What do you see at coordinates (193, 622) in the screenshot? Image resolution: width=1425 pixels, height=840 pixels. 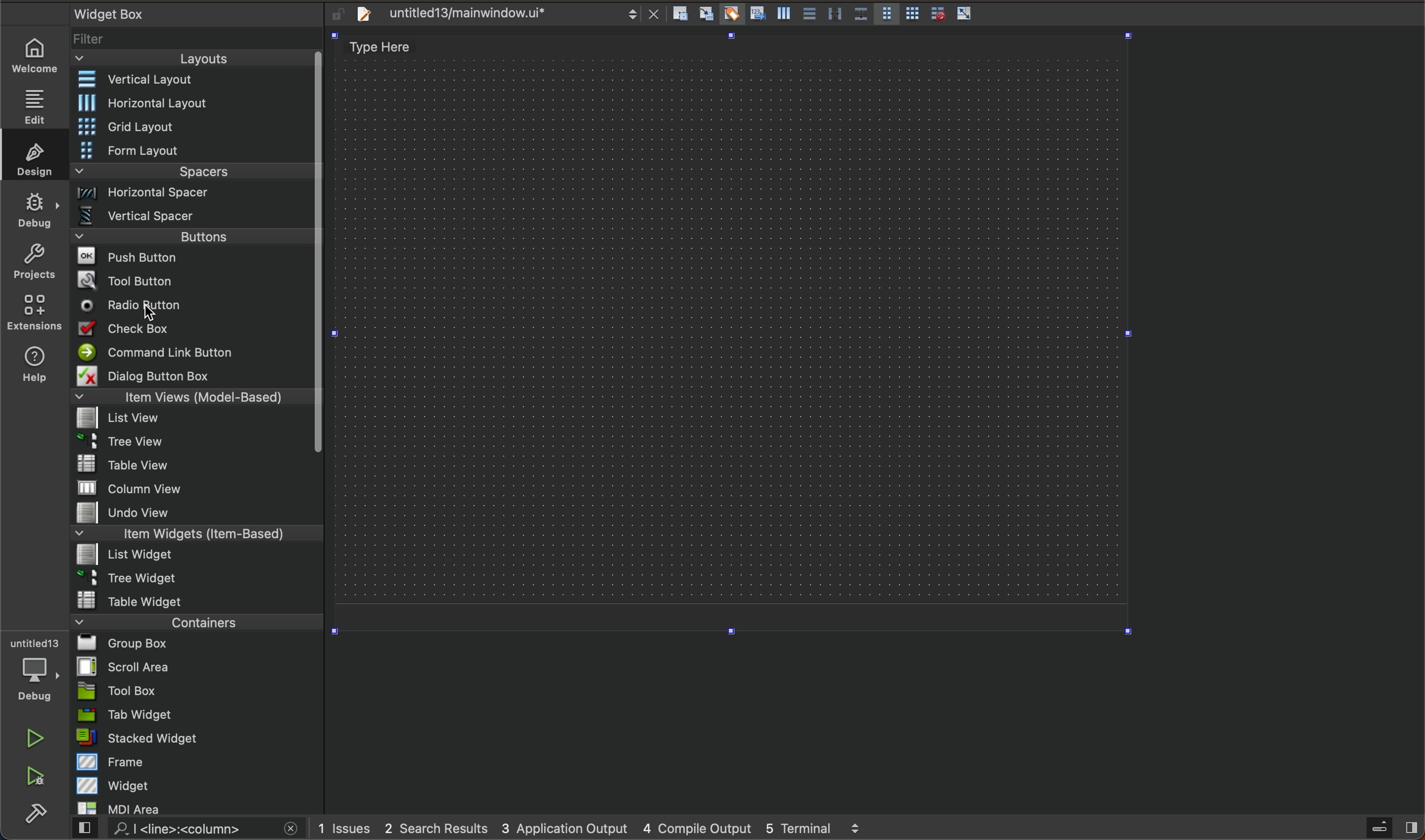 I see `containers` at bounding box center [193, 622].